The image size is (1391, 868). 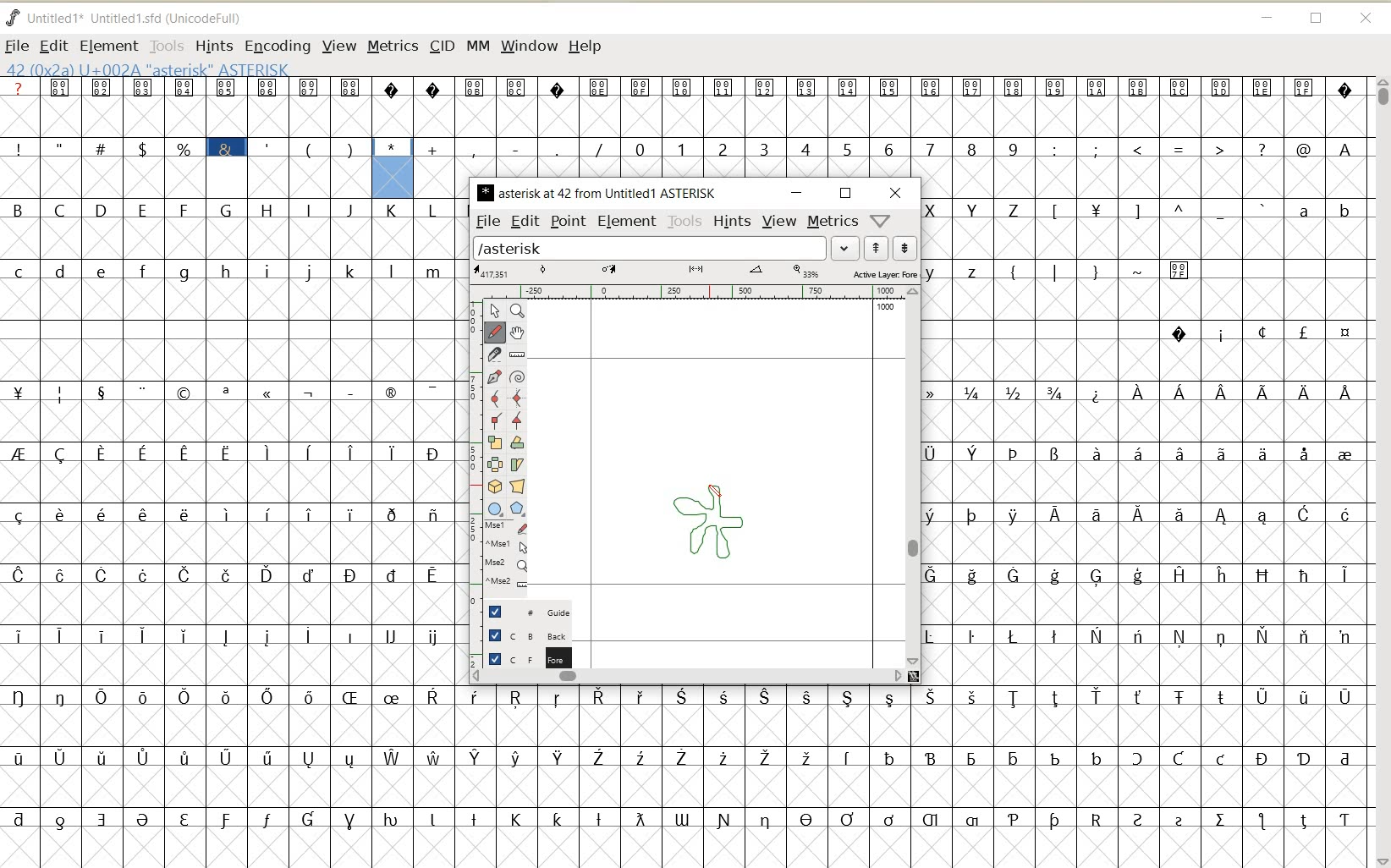 I want to click on POINT, so click(x=569, y=222).